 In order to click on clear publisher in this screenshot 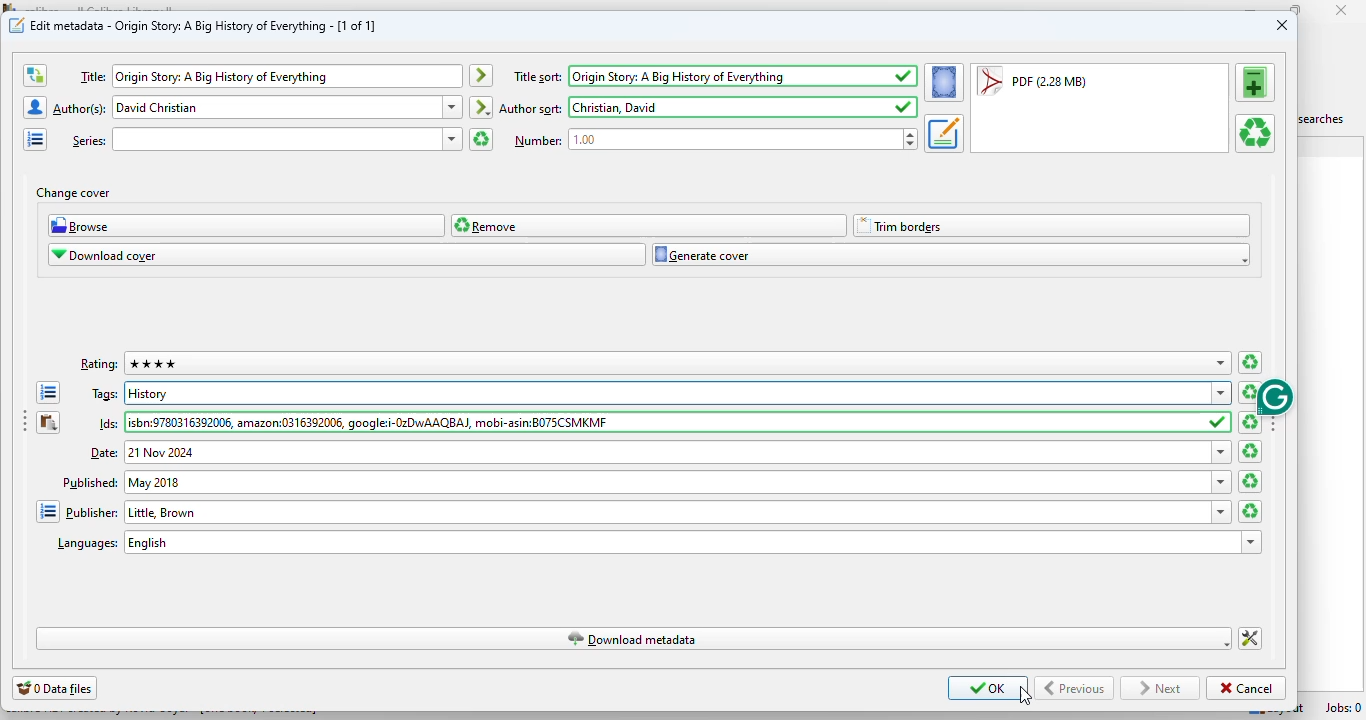, I will do `click(1250, 511)`.